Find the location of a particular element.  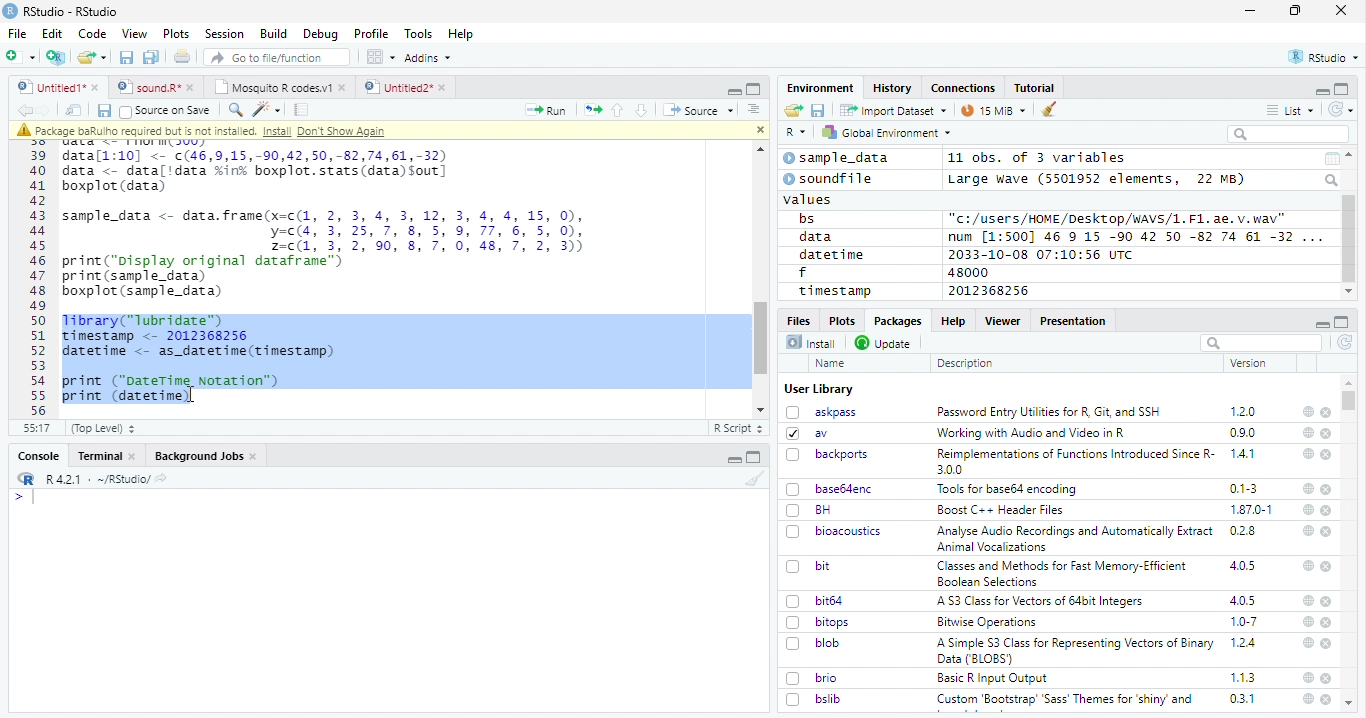

Name is located at coordinates (832, 364).